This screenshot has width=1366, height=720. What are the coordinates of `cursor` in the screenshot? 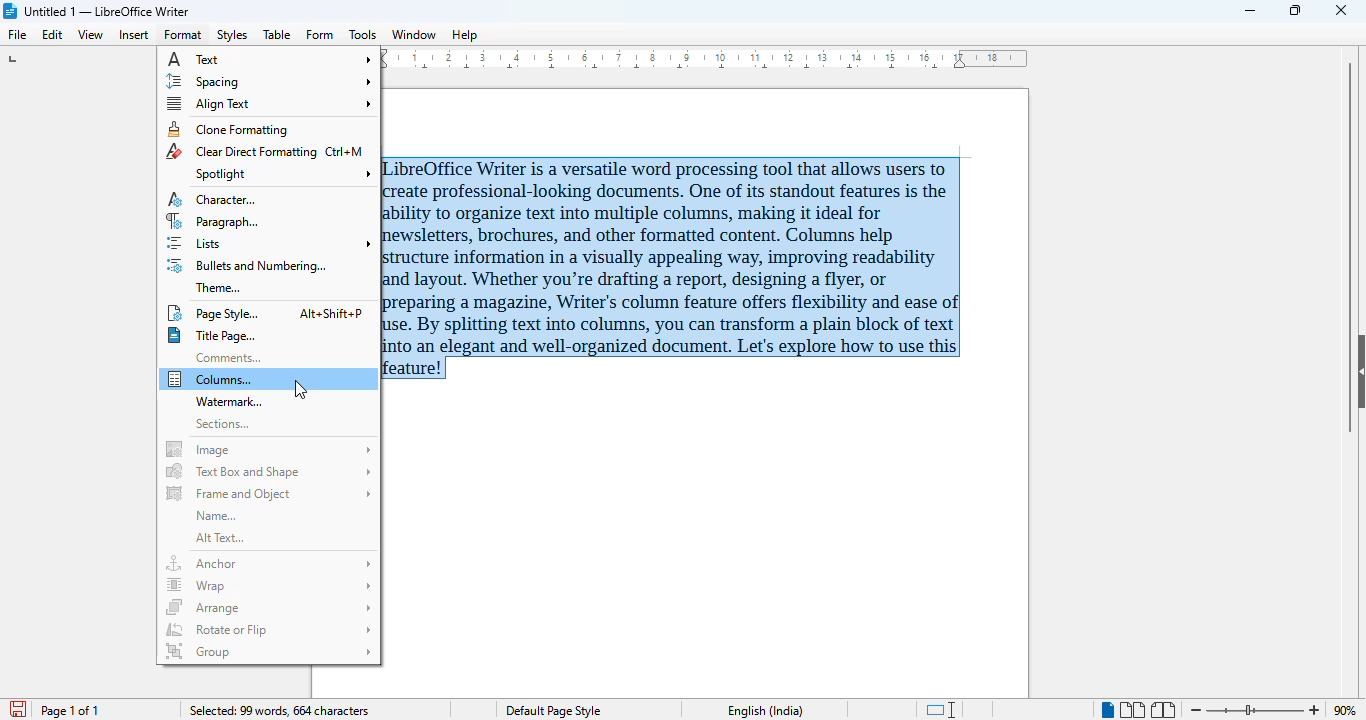 It's located at (300, 389).